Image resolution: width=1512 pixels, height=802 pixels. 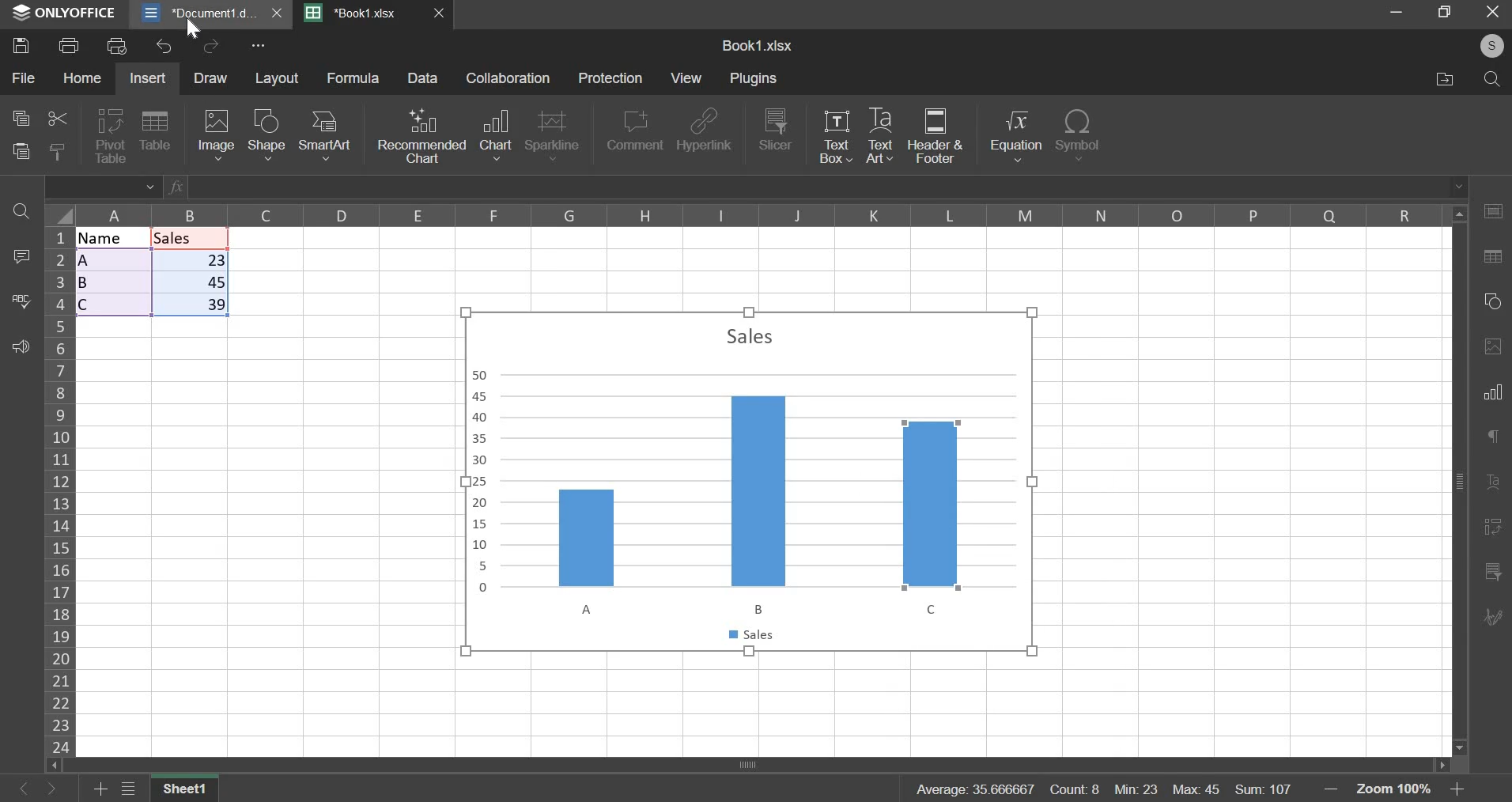 What do you see at coordinates (193, 28) in the screenshot?
I see `cursor` at bounding box center [193, 28].